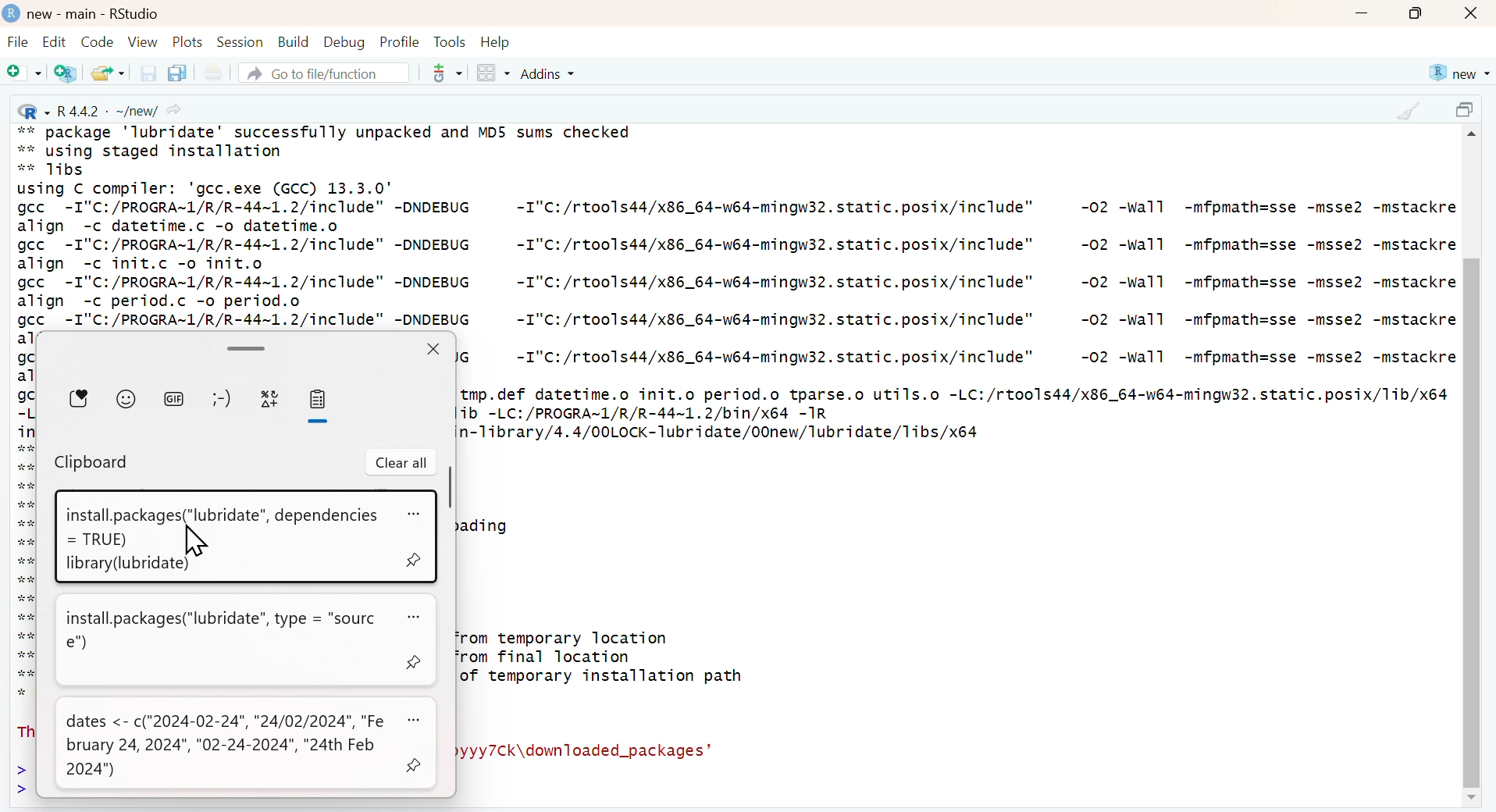 The image size is (1496, 812). Describe the element at coordinates (143, 41) in the screenshot. I see `View` at that location.